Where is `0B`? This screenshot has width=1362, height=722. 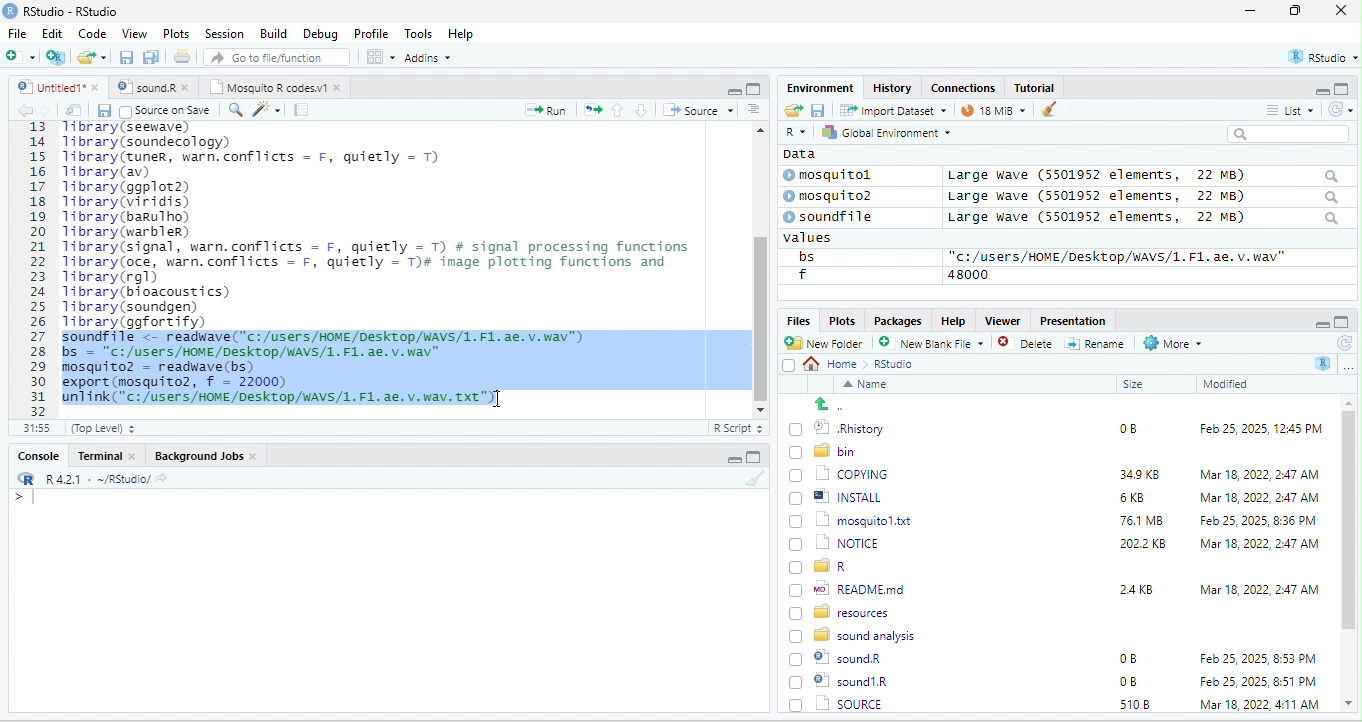 0B is located at coordinates (1121, 426).